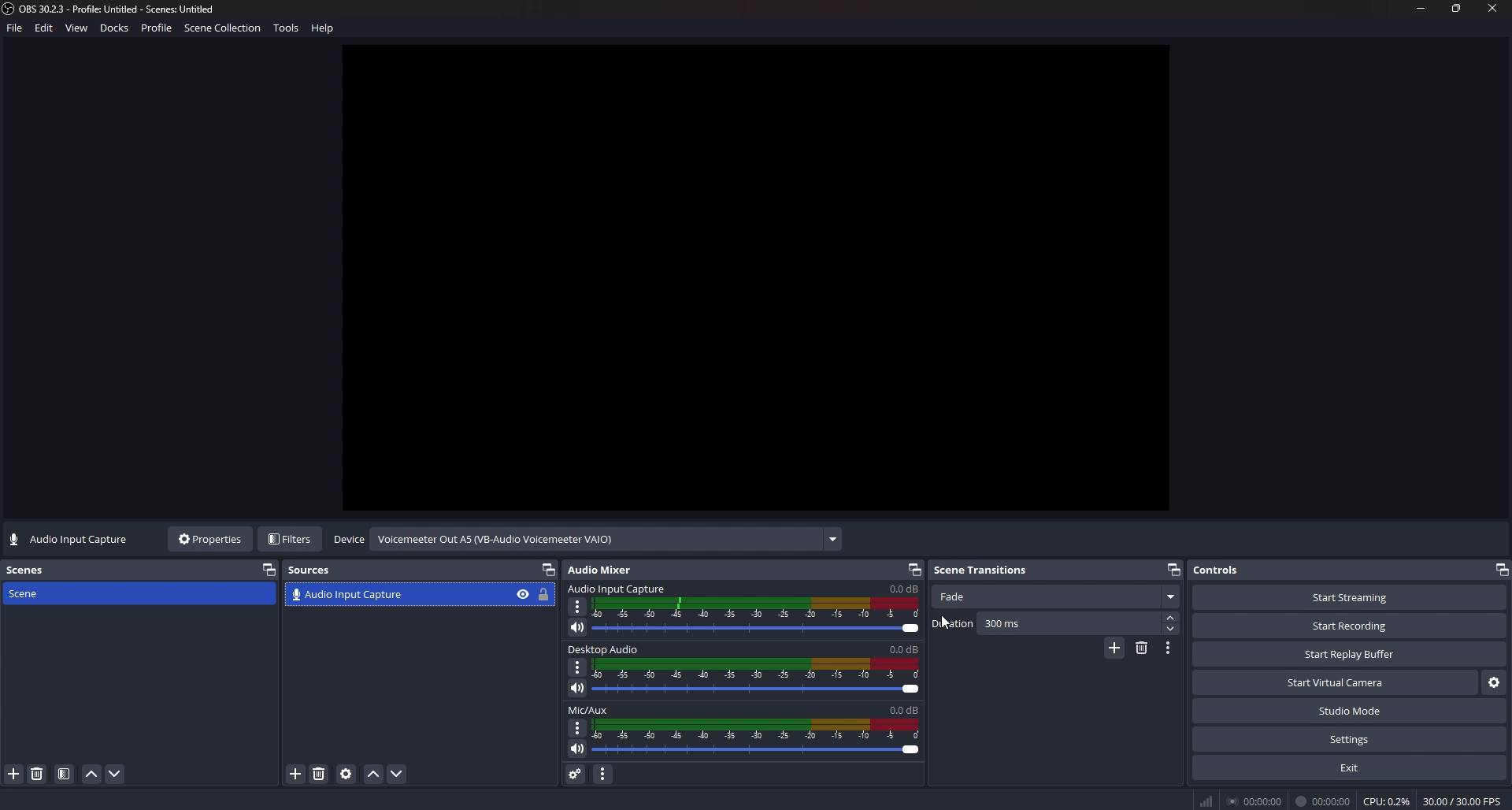 The height and width of the screenshot is (810, 1512). Describe the element at coordinates (1057, 598) in the screenshot. I see `fade` at that location.